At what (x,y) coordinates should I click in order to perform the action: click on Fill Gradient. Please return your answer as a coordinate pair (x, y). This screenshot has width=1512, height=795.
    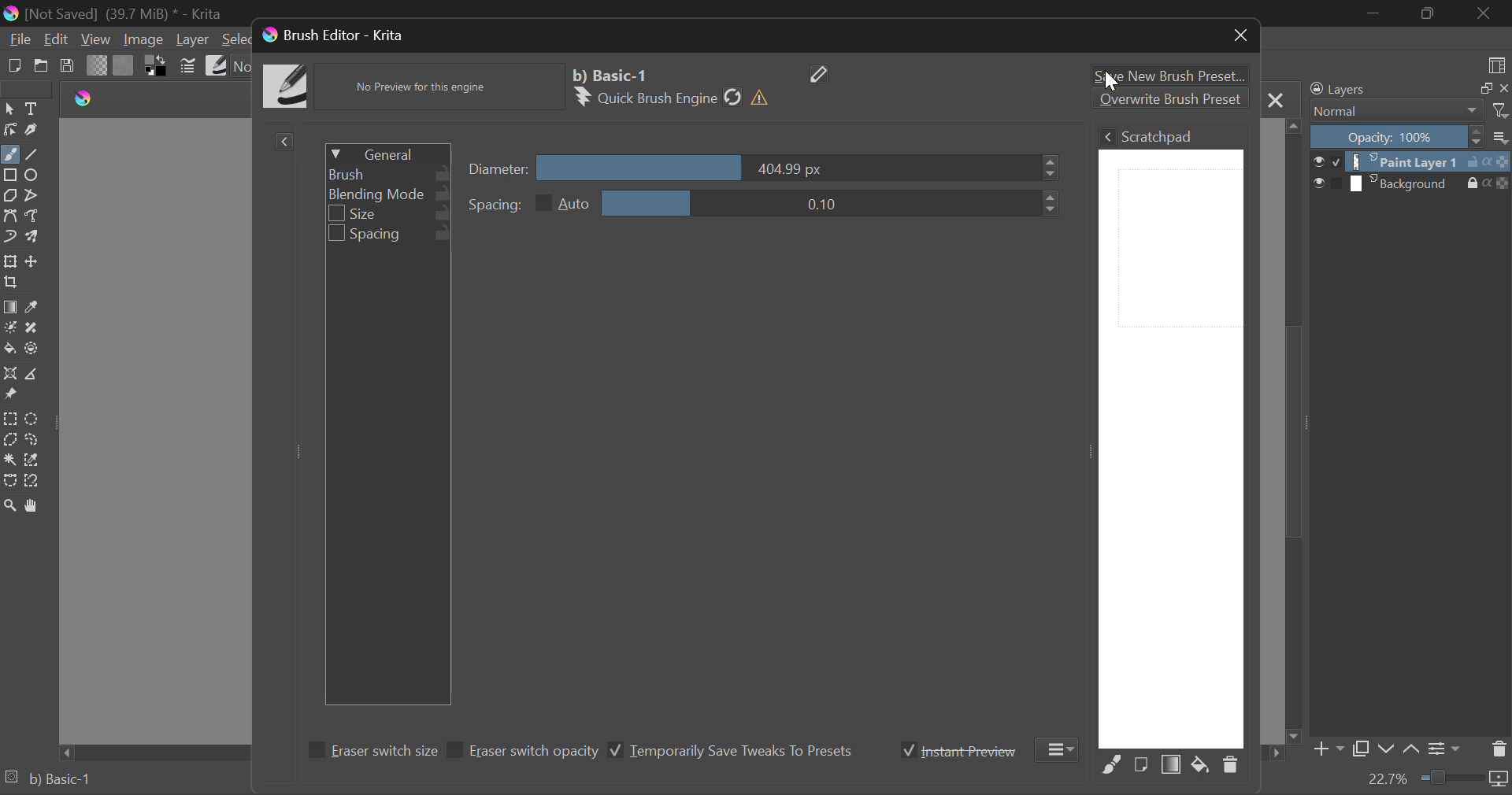
    Looking at the image, I should click on (11, 307).